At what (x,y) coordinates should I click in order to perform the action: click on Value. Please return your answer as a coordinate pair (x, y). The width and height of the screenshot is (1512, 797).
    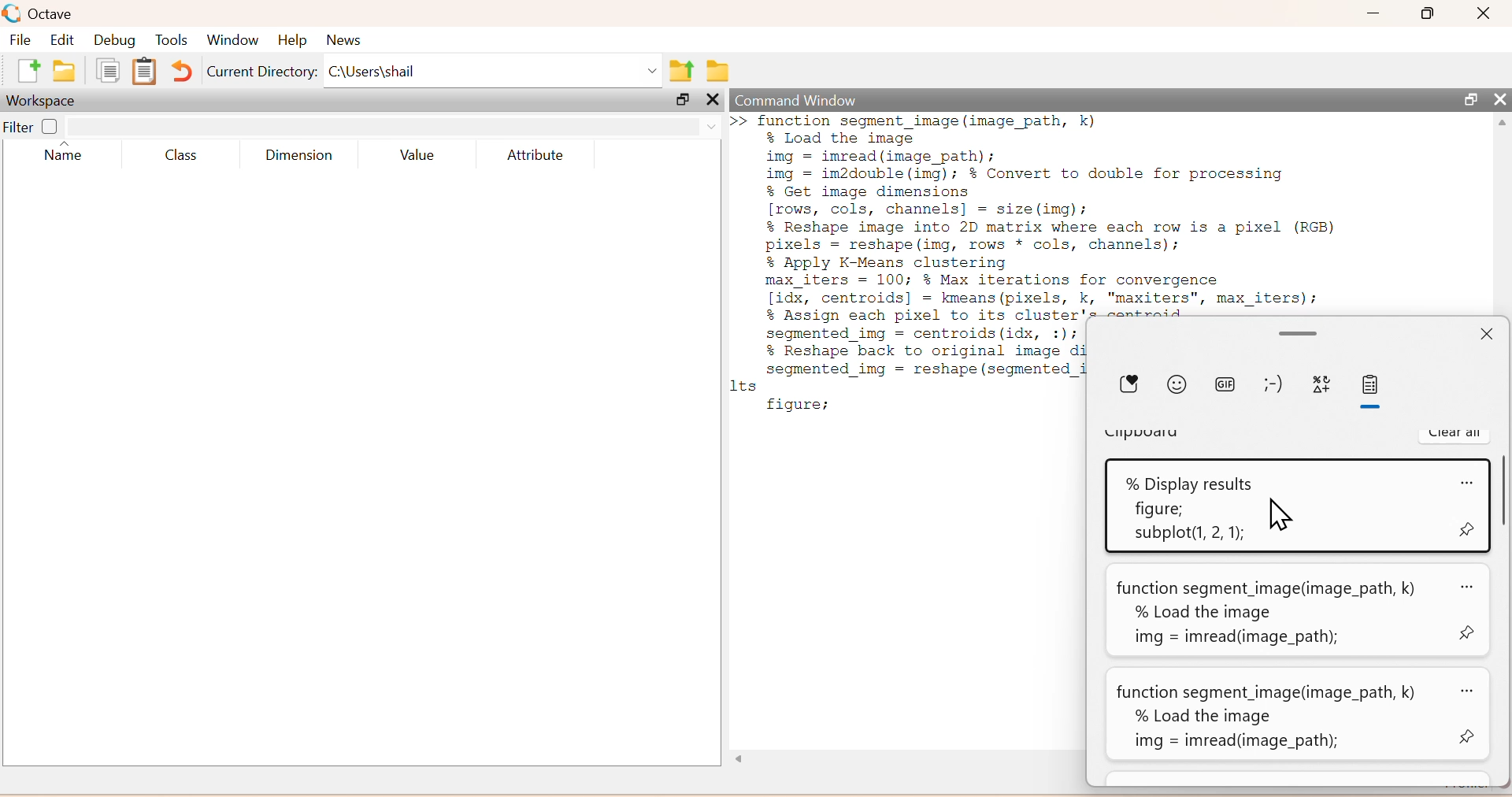
    Looking at the image, I should click on (417, 157).